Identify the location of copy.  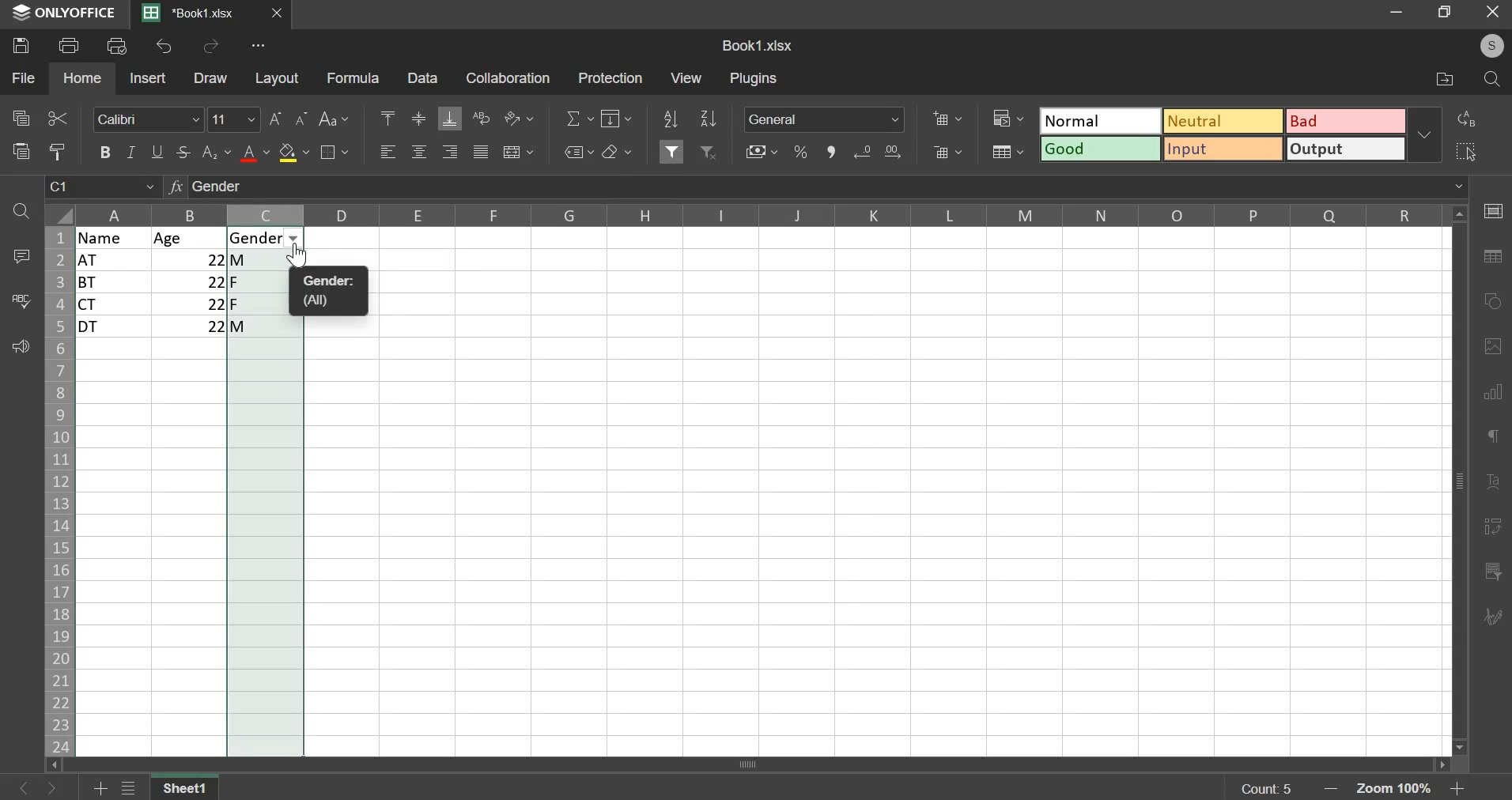
(21, 116).